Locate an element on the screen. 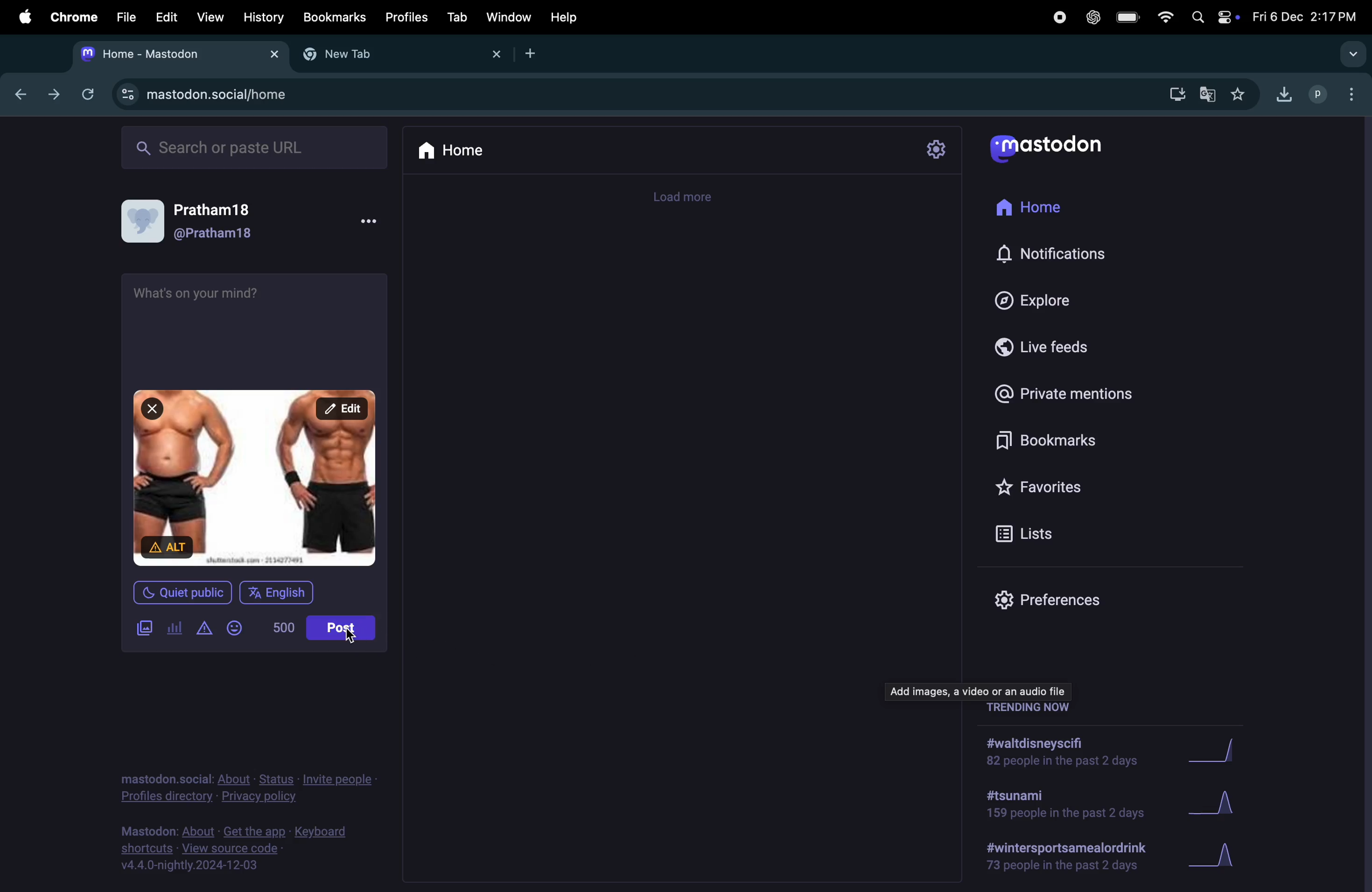 This screenshot has height=892, width=1372. mastdoon social url is located at coordinates (205, 93).